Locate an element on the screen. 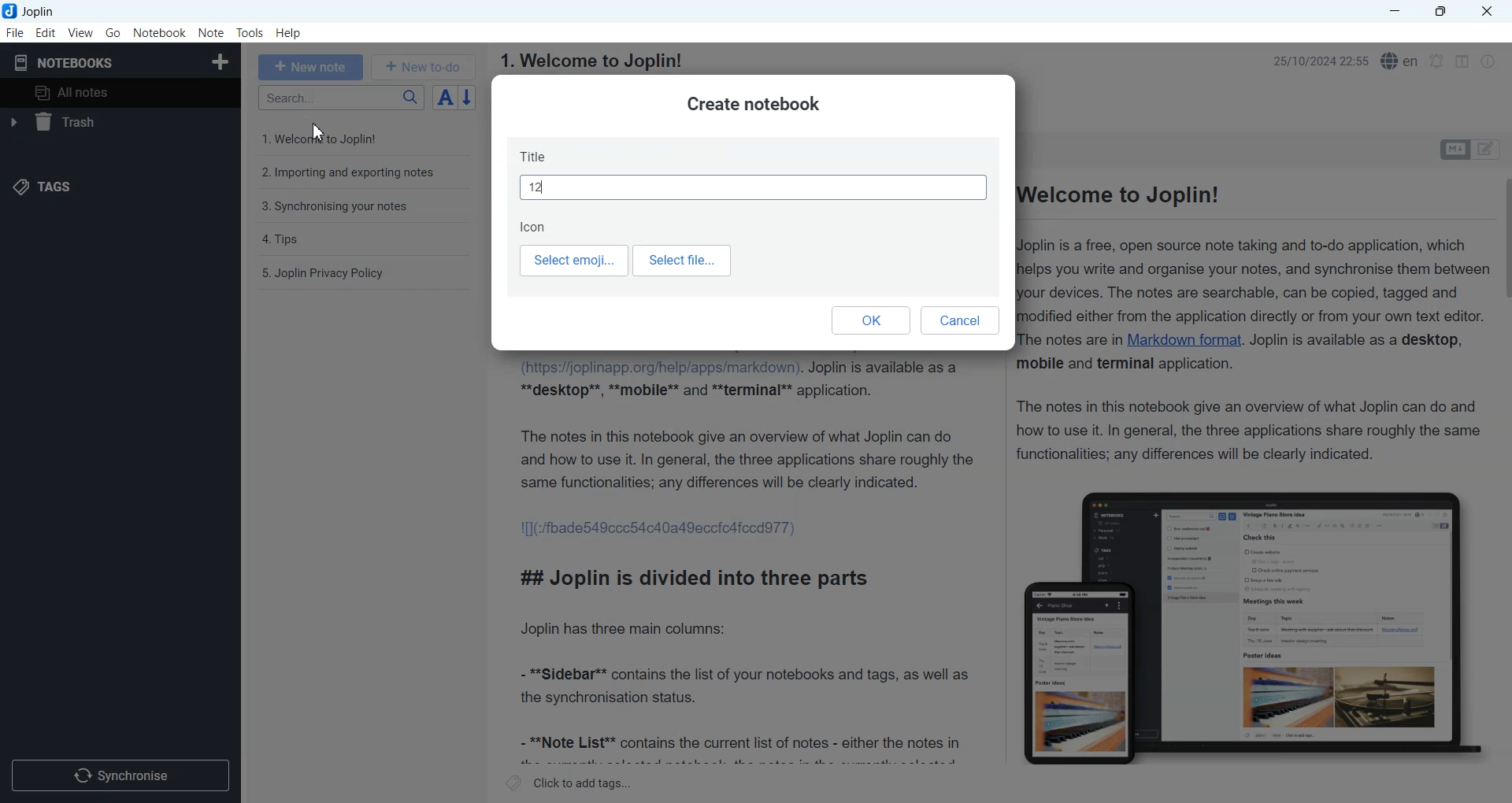  Notebook is located at coordinates (160, 33).